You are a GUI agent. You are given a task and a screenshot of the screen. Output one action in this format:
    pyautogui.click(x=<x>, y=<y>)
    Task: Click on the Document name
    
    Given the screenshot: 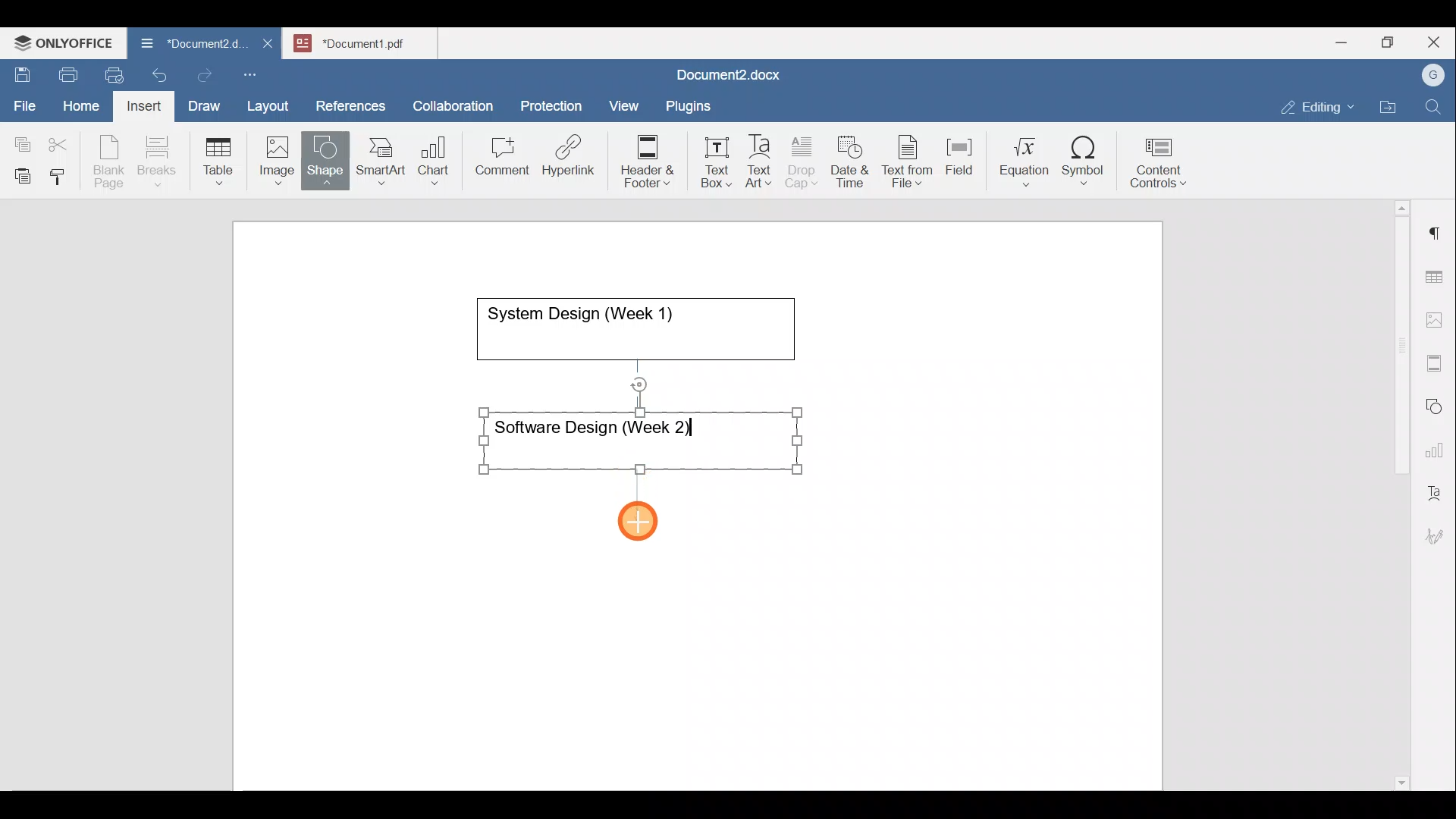 What is the action you would take?
    pyautogui.click(x=369, y=41)
    